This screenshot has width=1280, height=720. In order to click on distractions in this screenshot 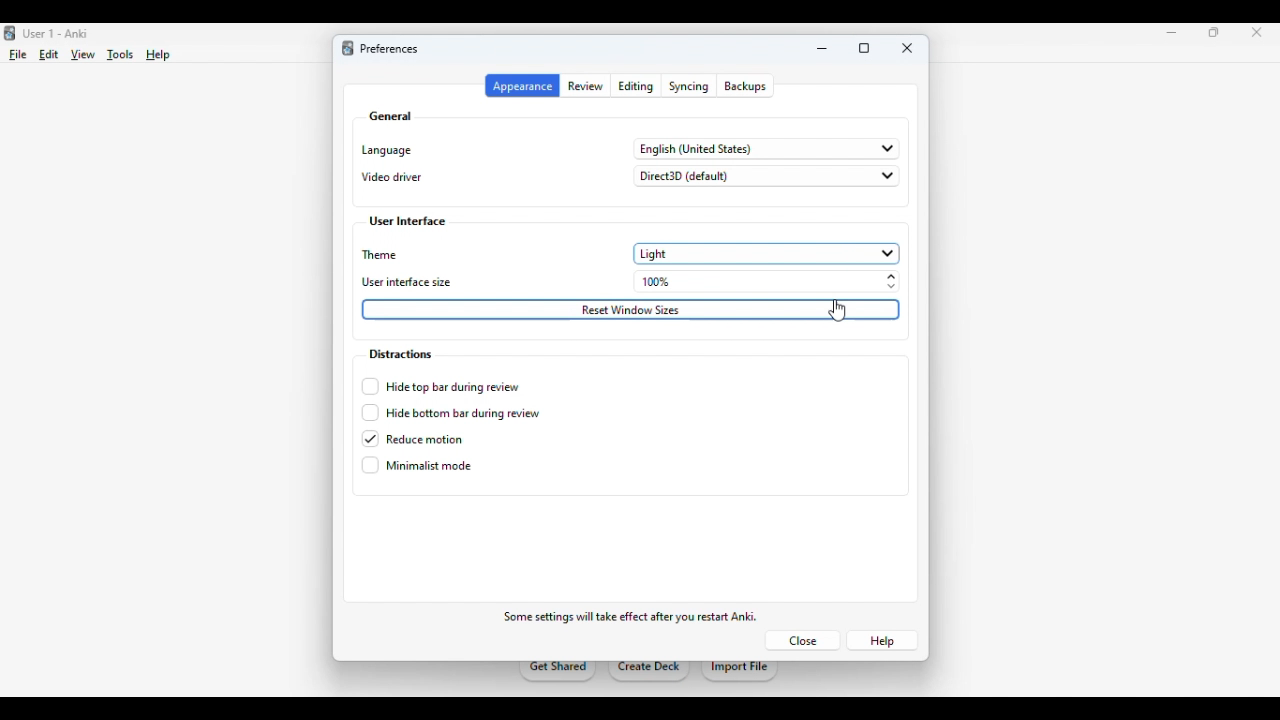, I will do `click(399, 354)`.